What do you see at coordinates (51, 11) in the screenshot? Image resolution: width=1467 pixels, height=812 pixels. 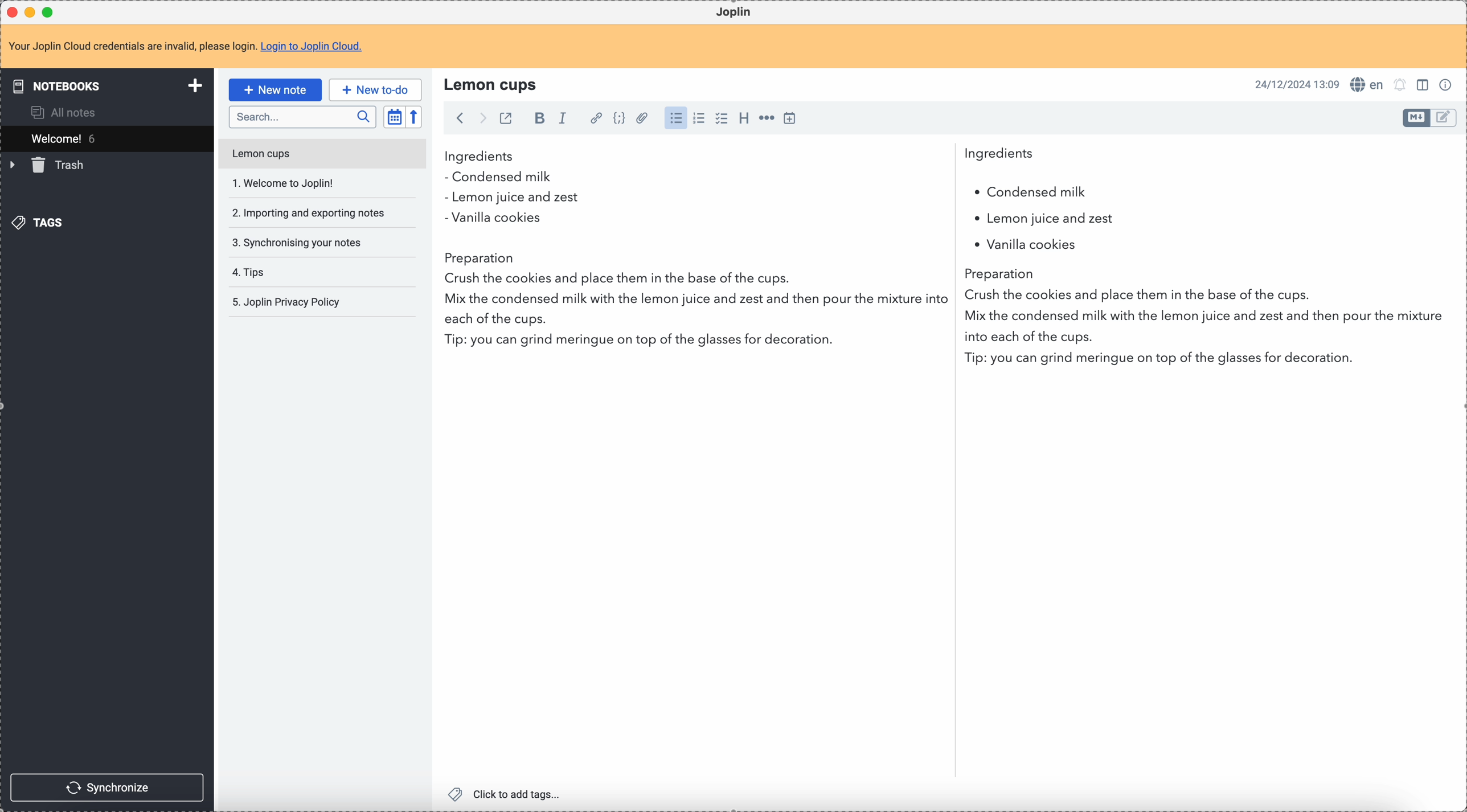 I see `maximize` at bounding box center [51, 11].